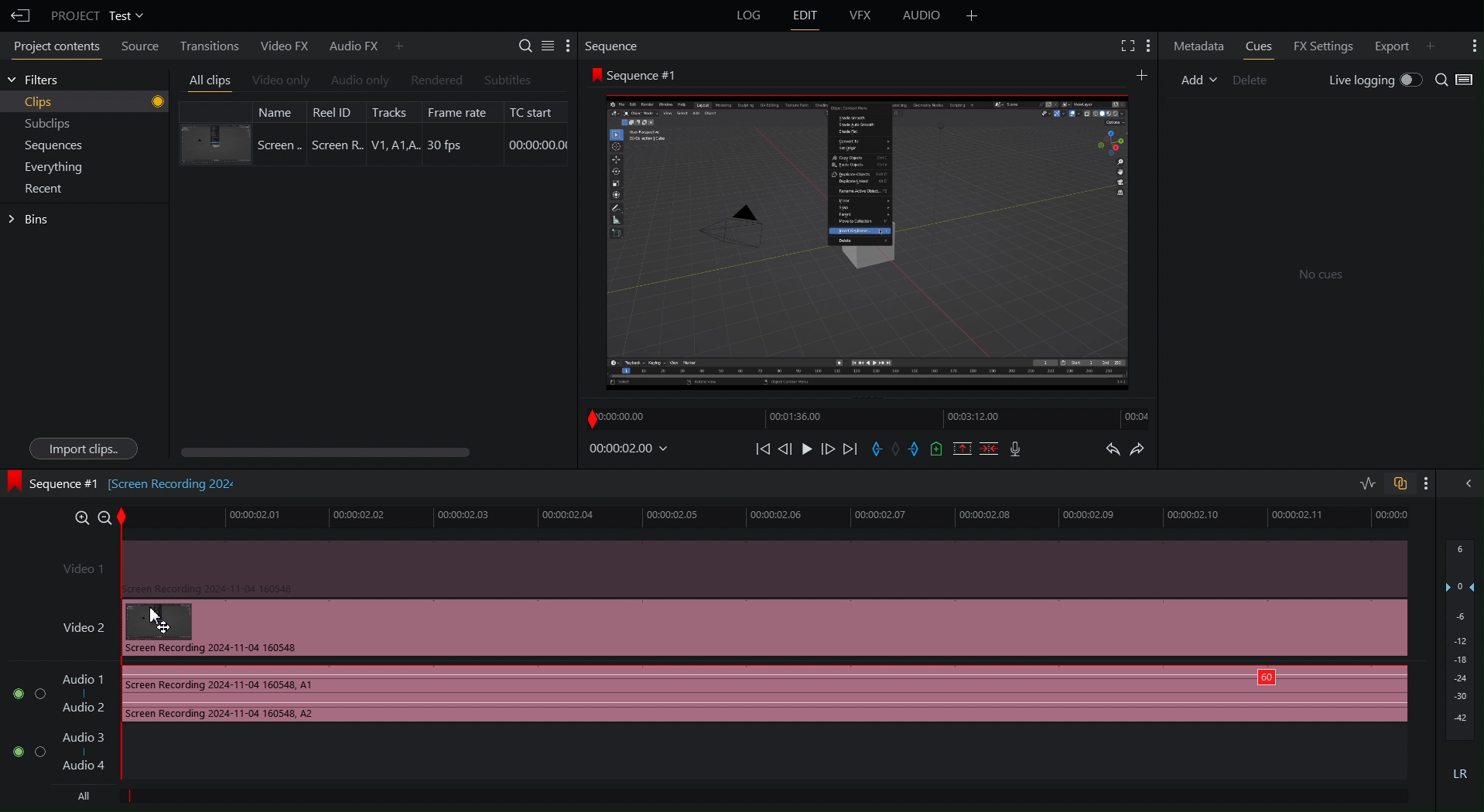 The image size is (1484, 812). What do you see at coordinates (69, 755) in the screenshot?
I see `Audio Track 2` at bounding box center [69, 755].